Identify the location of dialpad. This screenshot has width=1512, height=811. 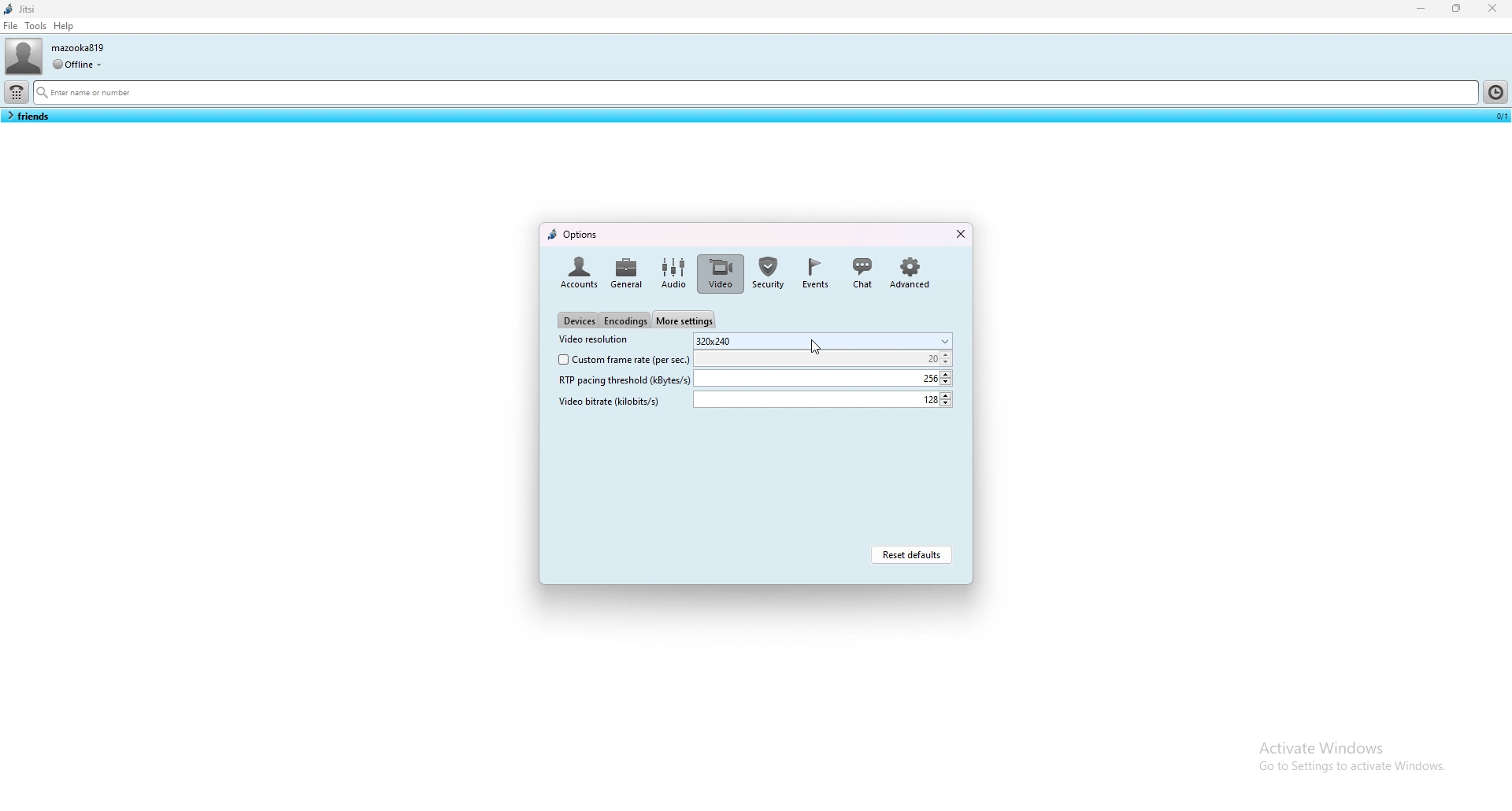
(17, 92).